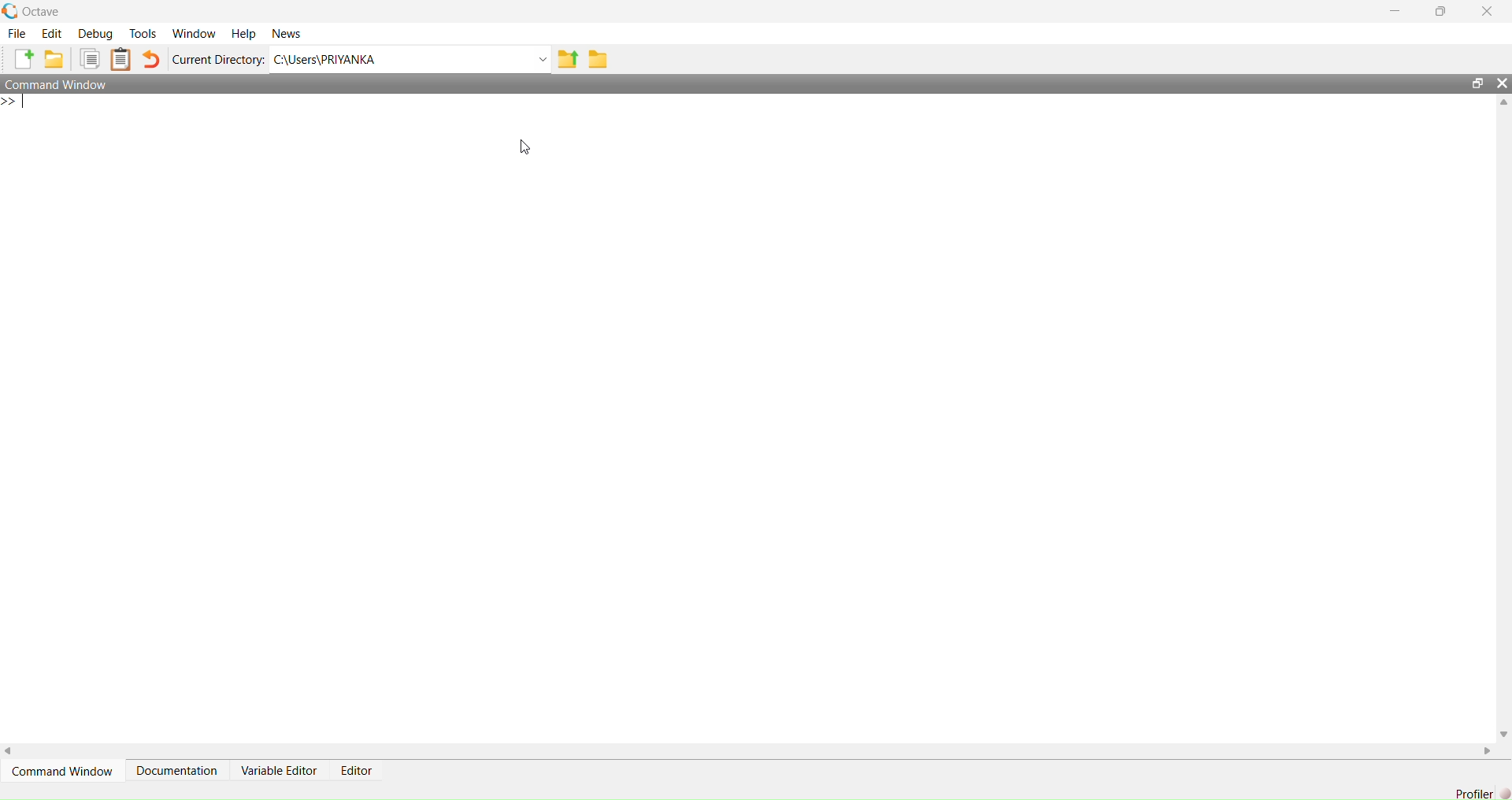 The height and width of the screenshot is (800, 1512). What do you see at coordinates (17, 35) in the screenshot?
I see `File` at bounding box center [17, 35].